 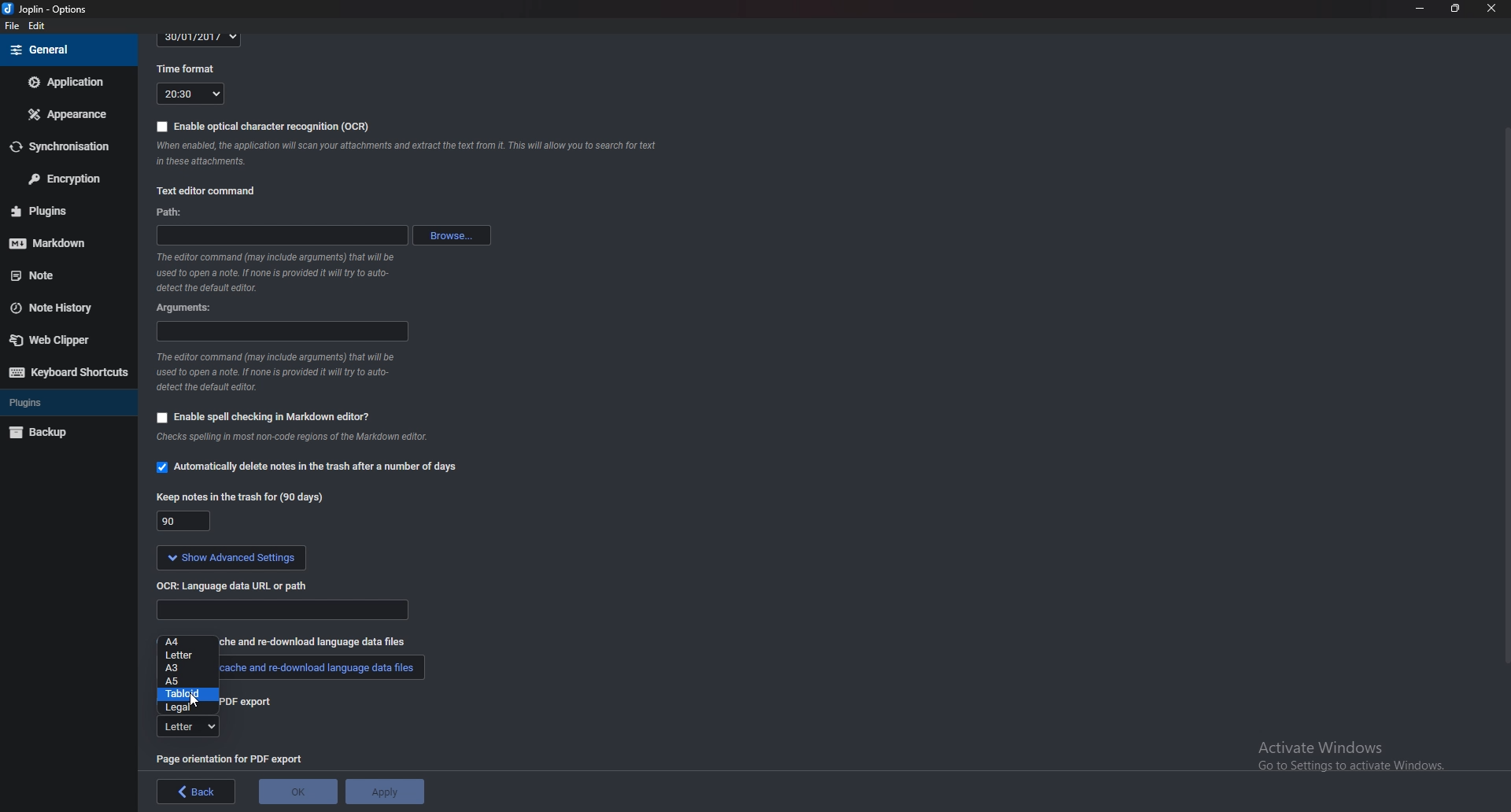 What do you see at coordinates (235, 585) in the screenshot?
I see `ocr Language data url or path` at bounding box center [235, 585].